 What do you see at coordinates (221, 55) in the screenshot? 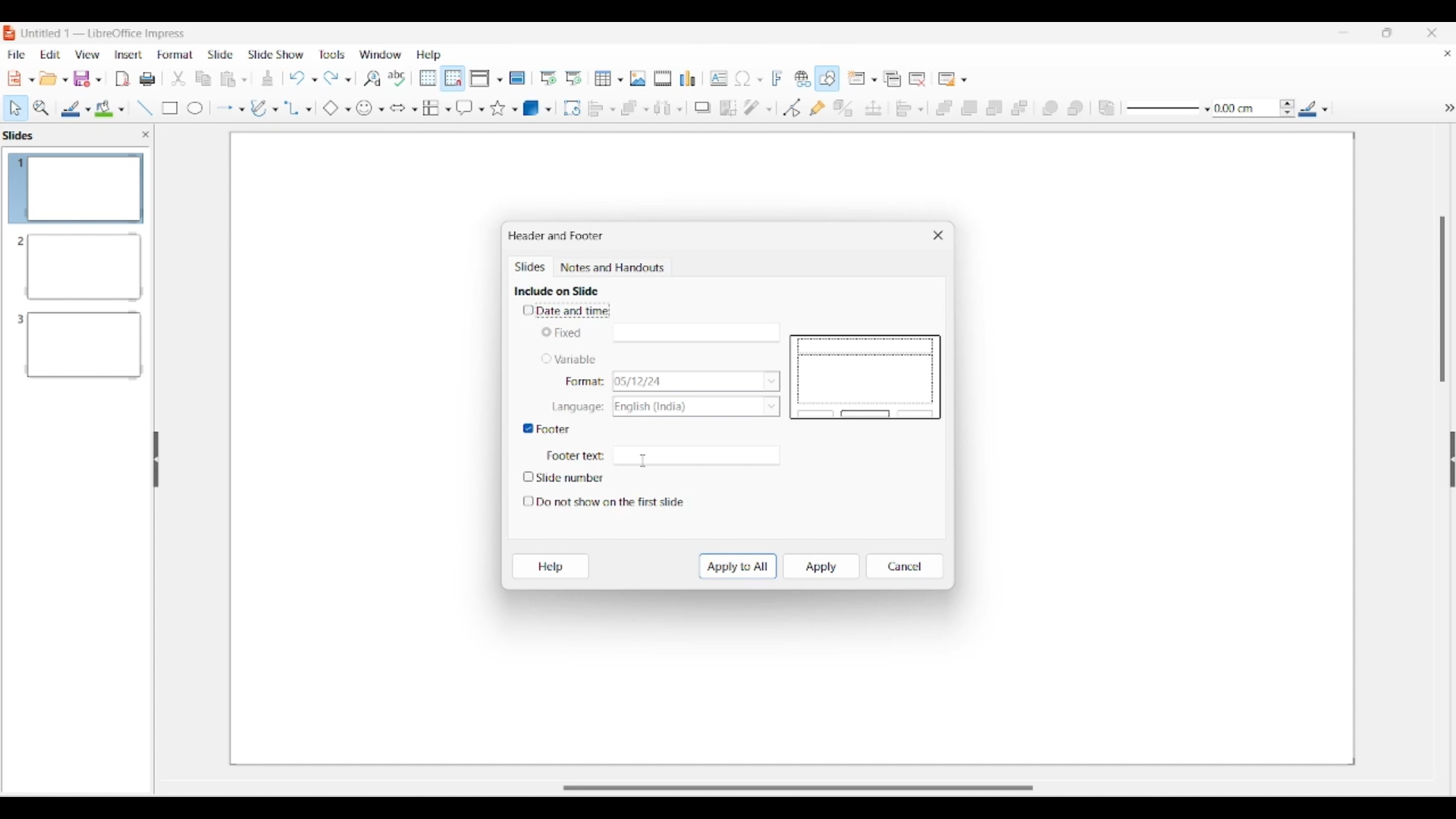
I see `Slide menu` at bounding box center [221, 55].